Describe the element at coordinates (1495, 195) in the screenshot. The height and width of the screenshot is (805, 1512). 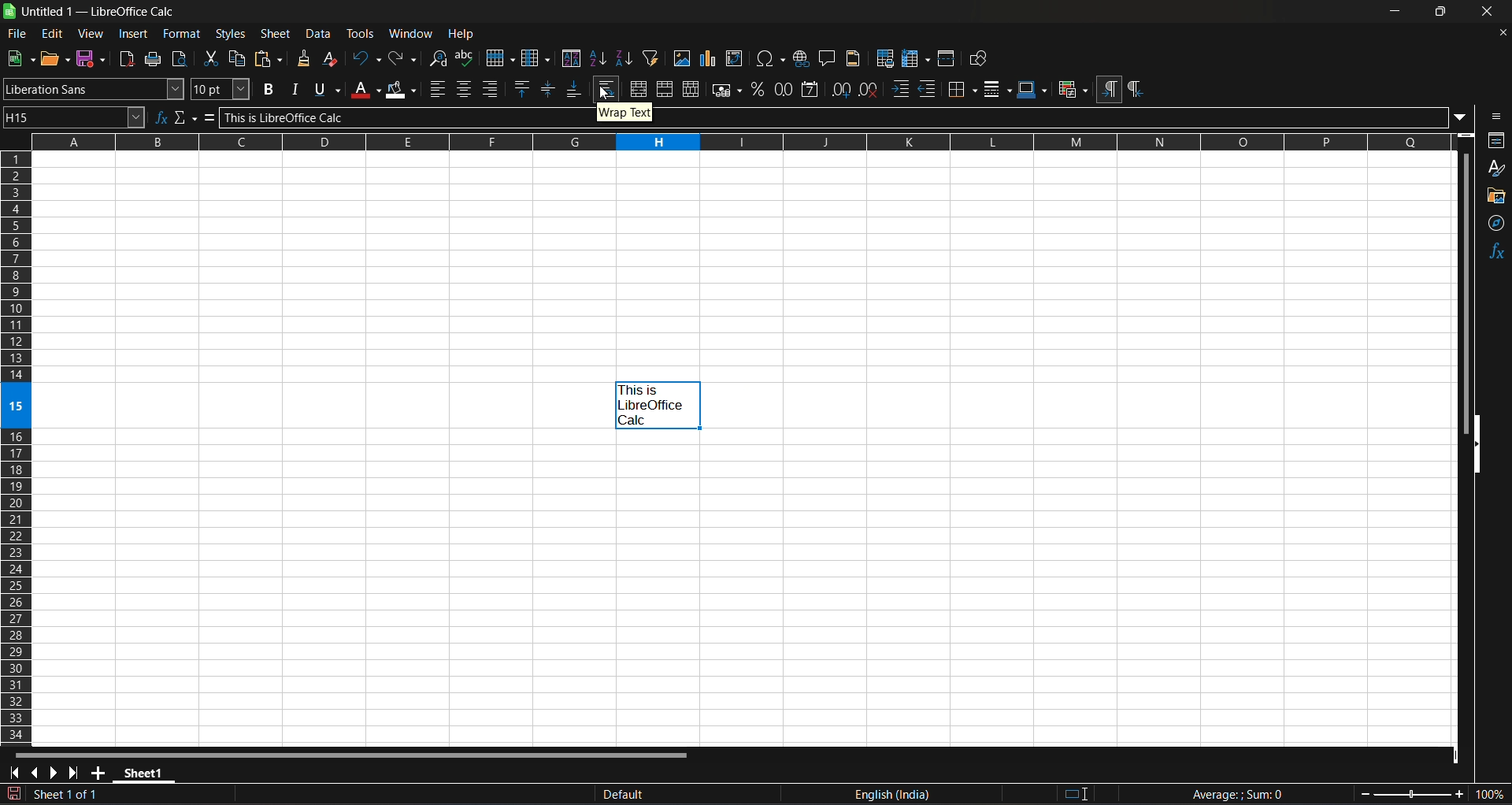
I see `gallery` at that location.